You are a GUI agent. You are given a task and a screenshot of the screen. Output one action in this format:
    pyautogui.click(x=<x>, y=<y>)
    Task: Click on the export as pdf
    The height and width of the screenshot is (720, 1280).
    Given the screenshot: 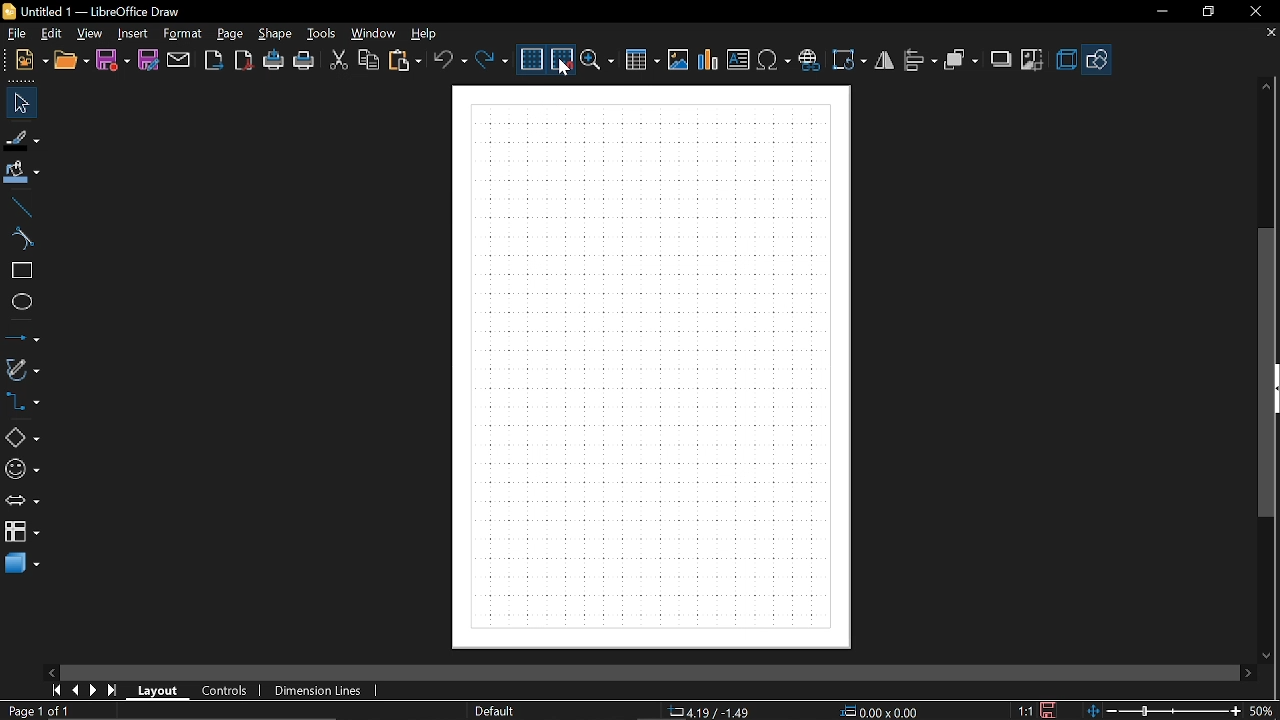 What is the action you would take?
    pyautogui.click(x=243, y=60)
    